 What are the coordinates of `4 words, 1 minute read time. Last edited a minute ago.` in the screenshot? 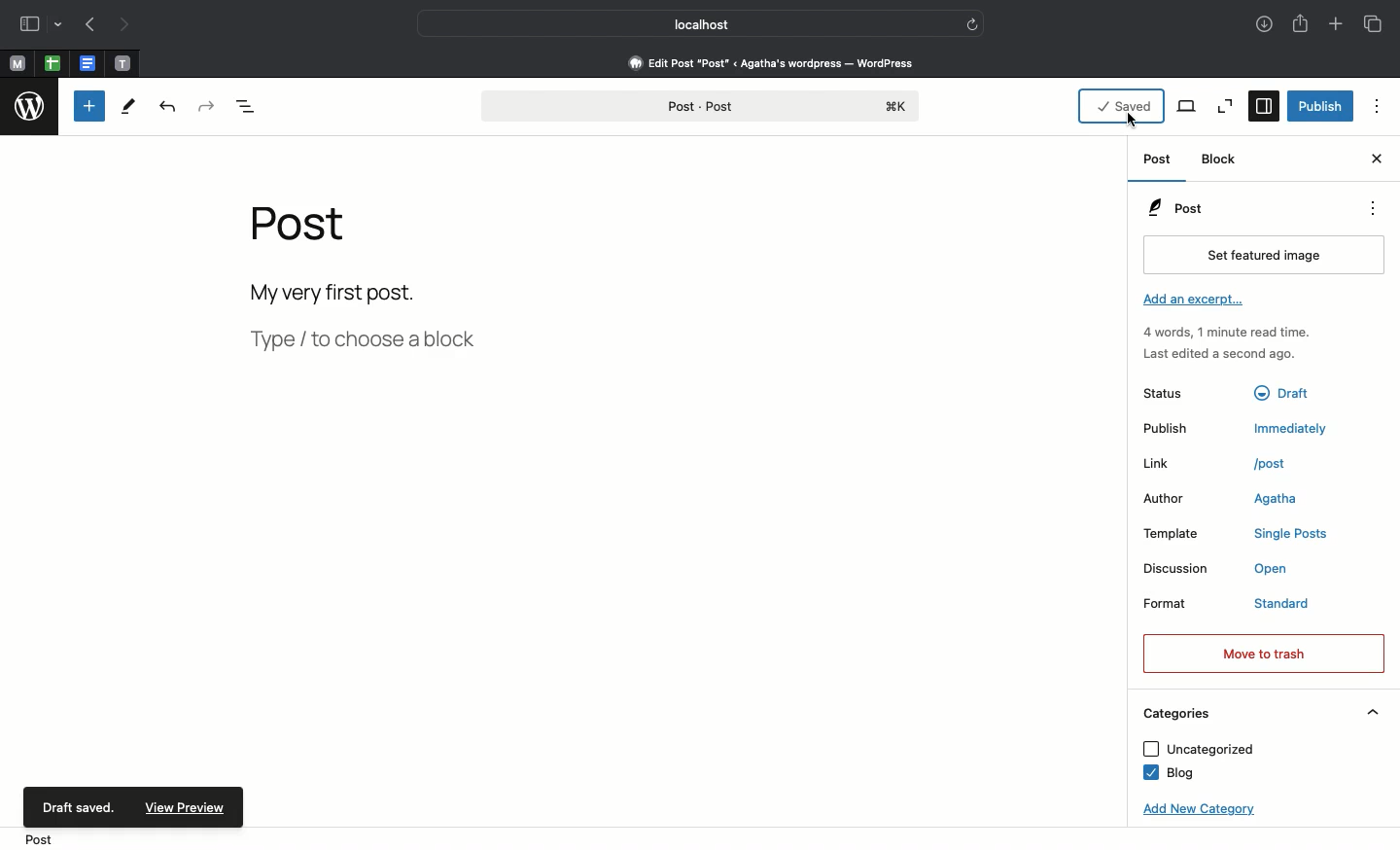 It's located at (1225, 346).